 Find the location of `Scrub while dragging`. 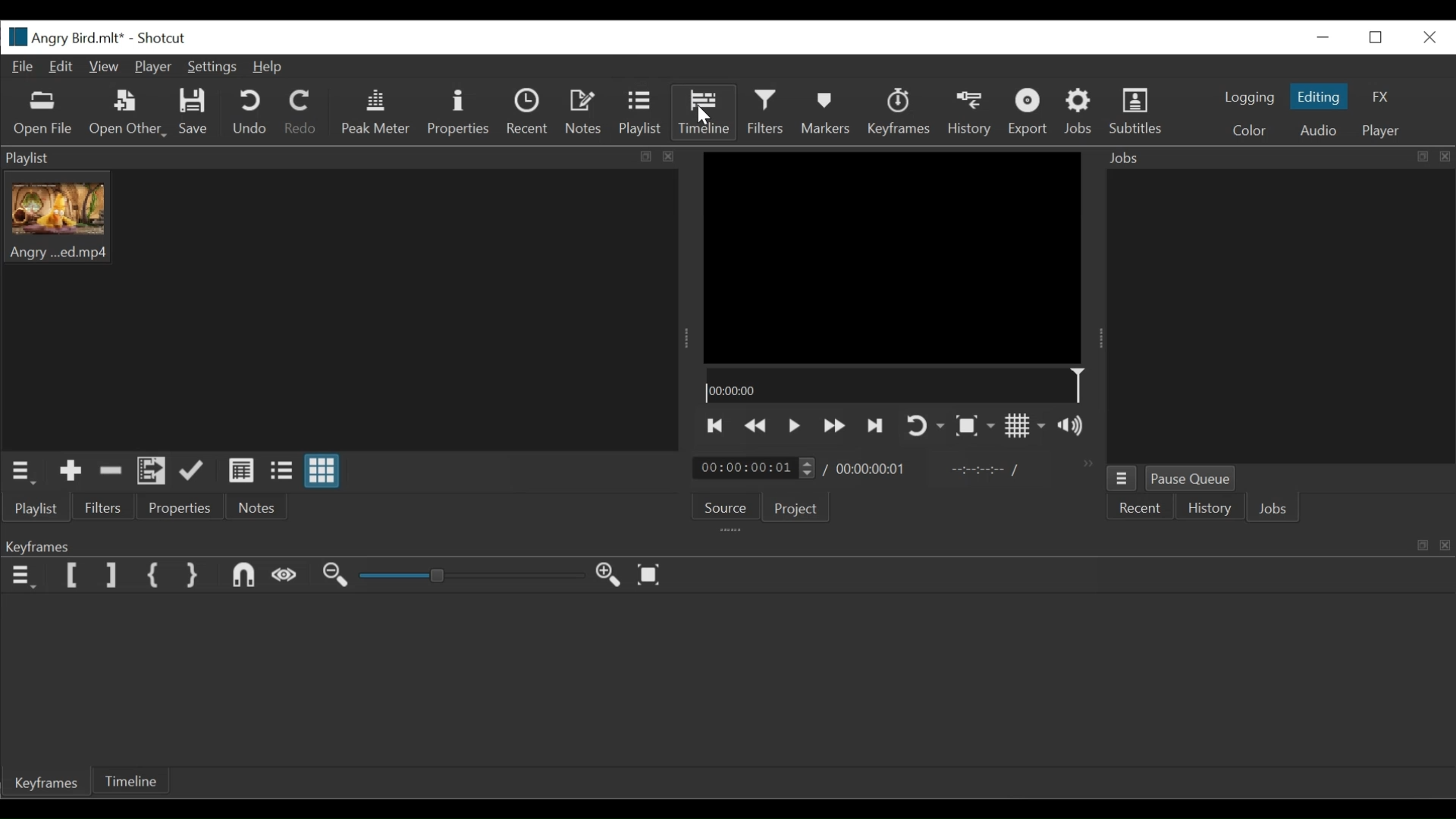

Scrub while dragging is located at coordinates (284, 576).